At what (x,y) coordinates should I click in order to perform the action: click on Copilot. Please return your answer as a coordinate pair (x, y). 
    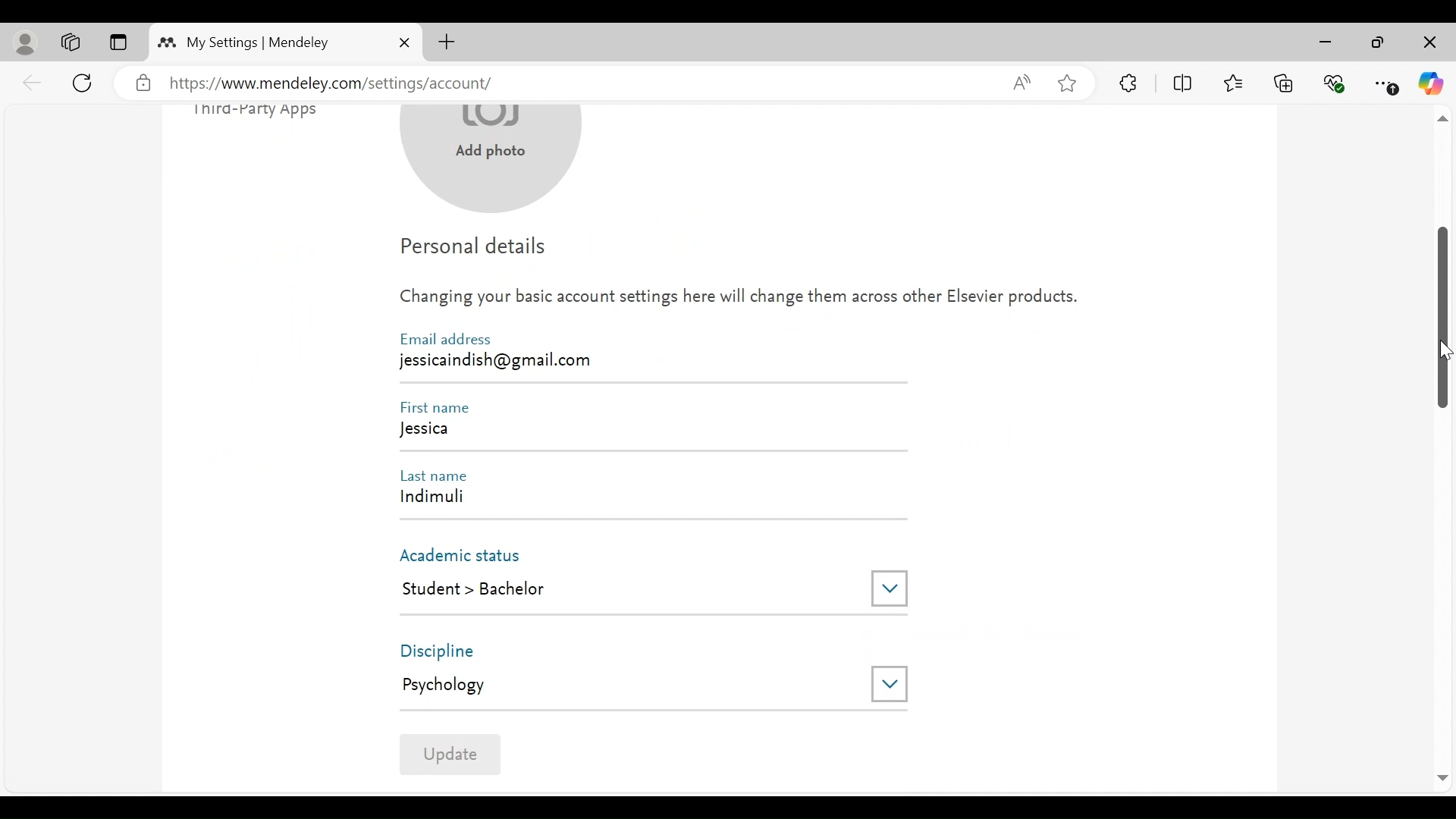
    Looking at the image, I should click on (1431, 83).